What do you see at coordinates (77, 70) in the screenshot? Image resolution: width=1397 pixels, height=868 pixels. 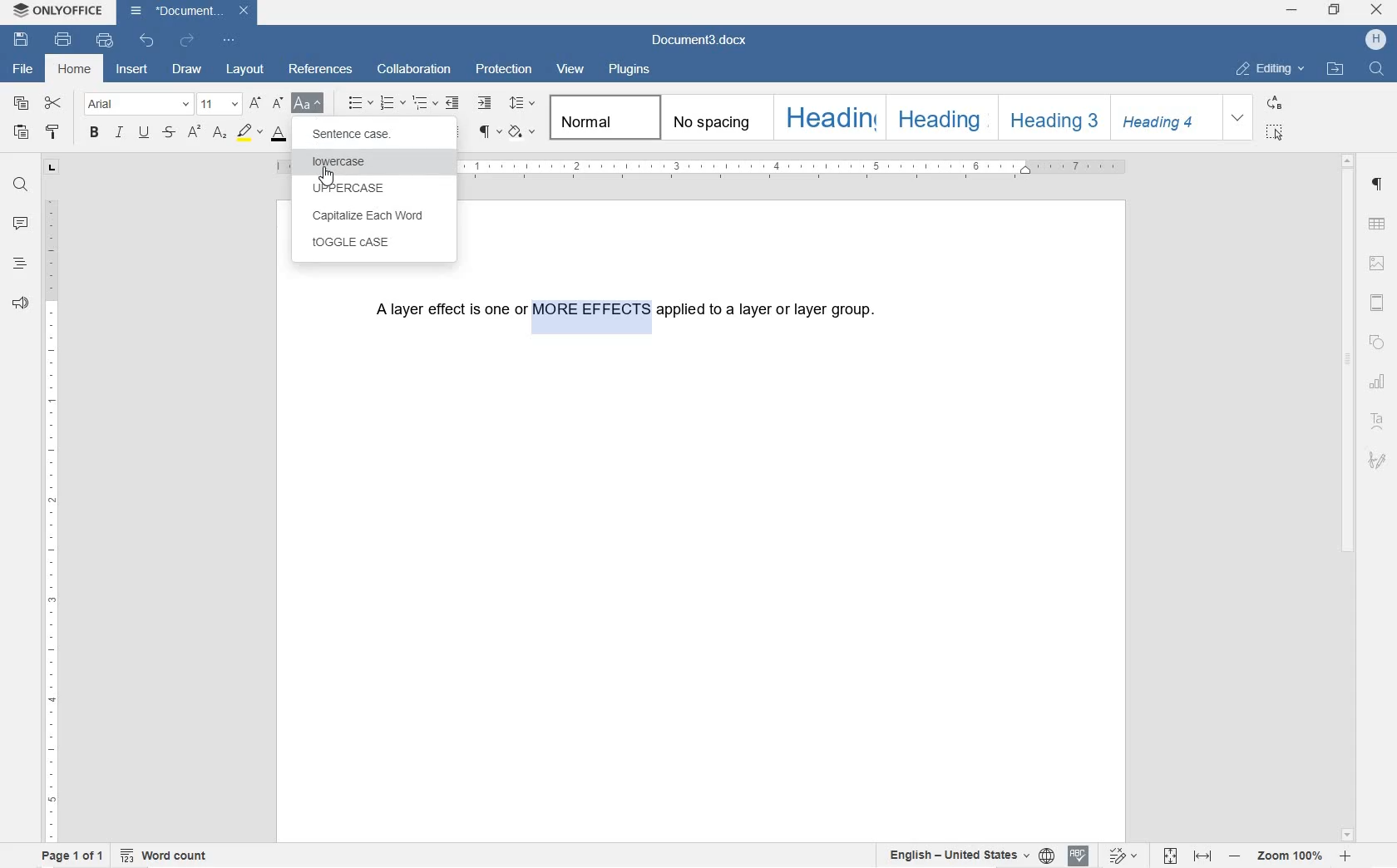 I see `HOME` at bounding box center [77, 70].